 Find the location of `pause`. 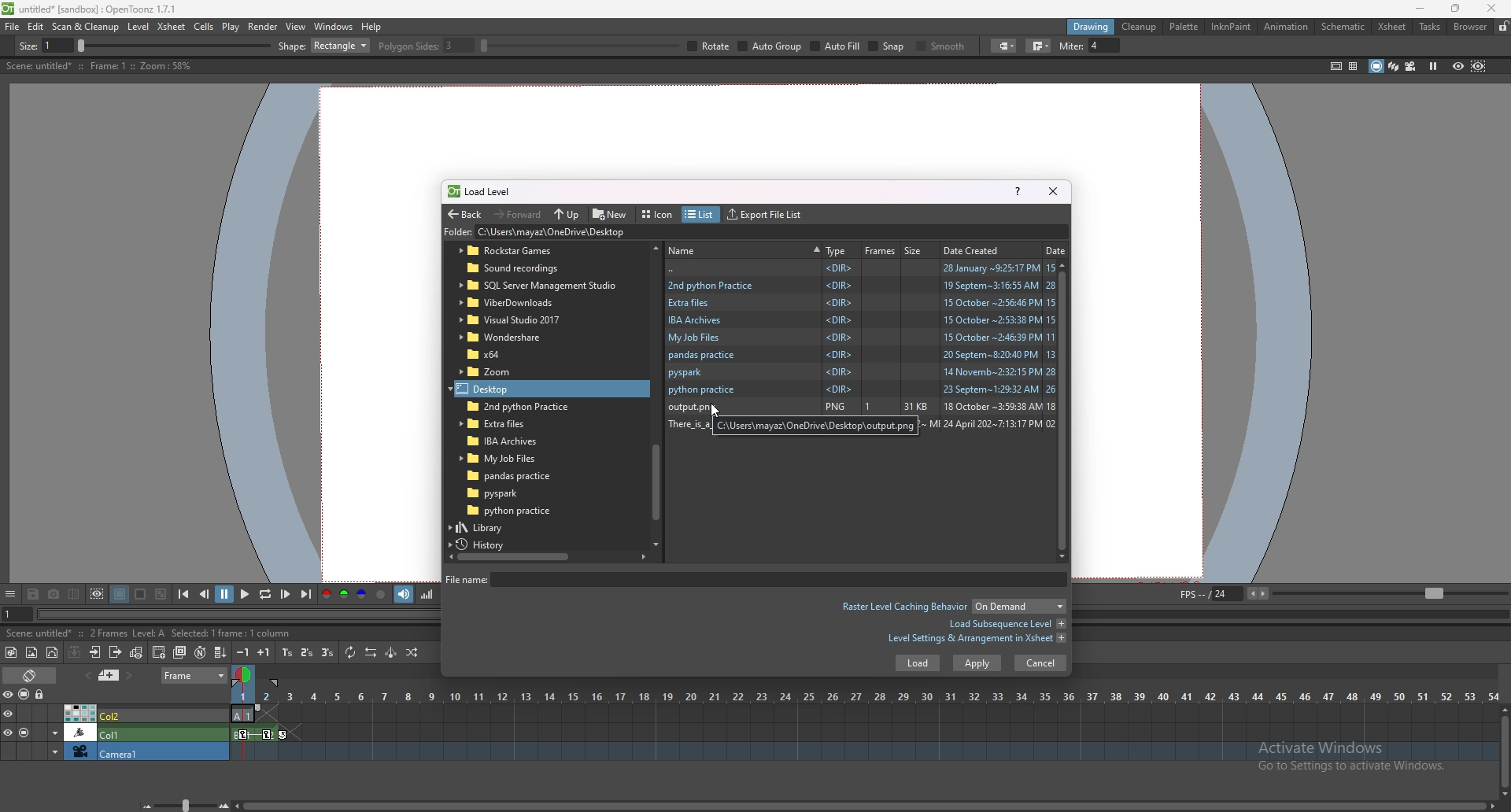

pause is located at coordinates (224, 594).